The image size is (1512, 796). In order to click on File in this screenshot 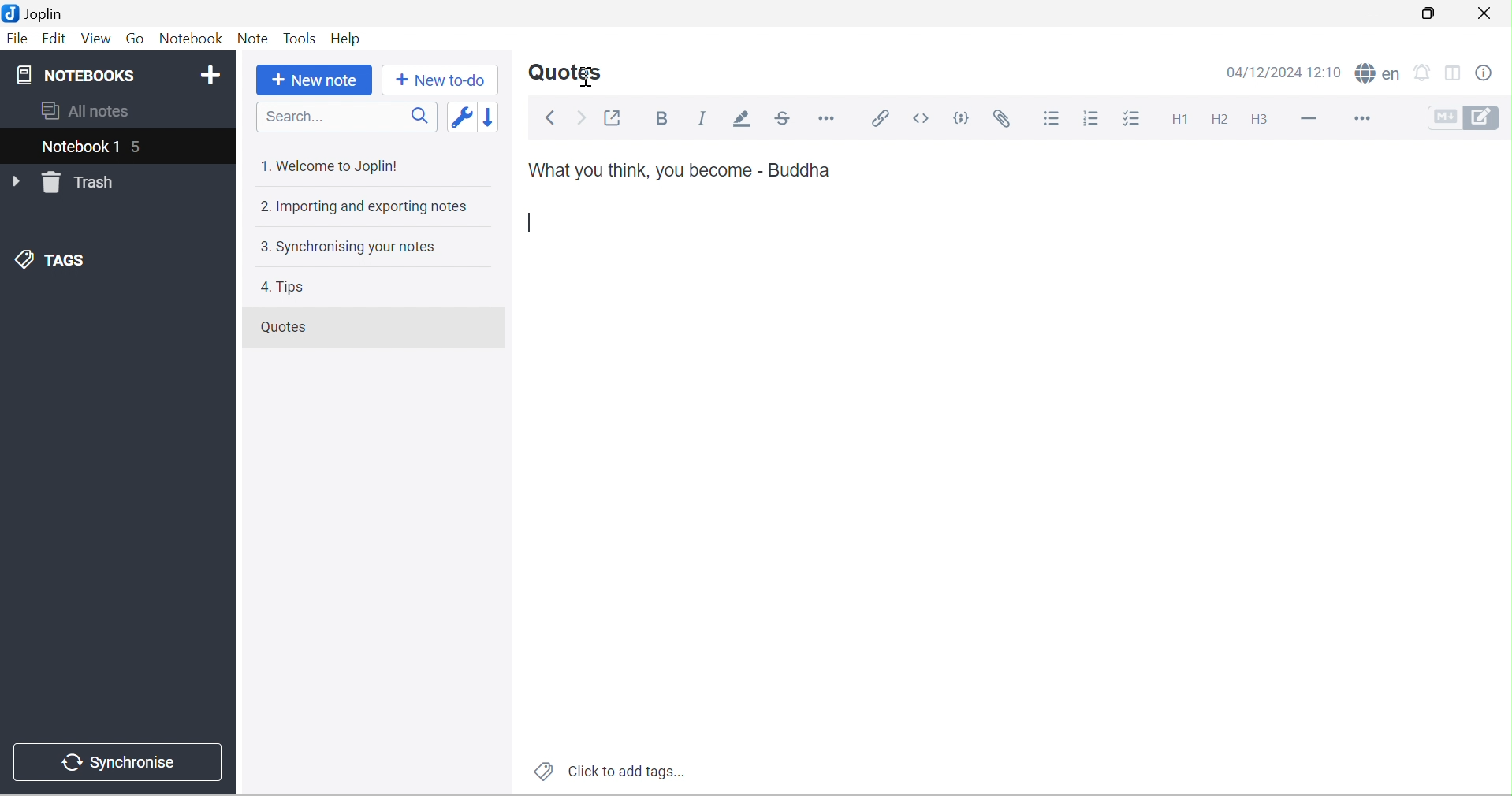, I will do `click(18, 39)`.